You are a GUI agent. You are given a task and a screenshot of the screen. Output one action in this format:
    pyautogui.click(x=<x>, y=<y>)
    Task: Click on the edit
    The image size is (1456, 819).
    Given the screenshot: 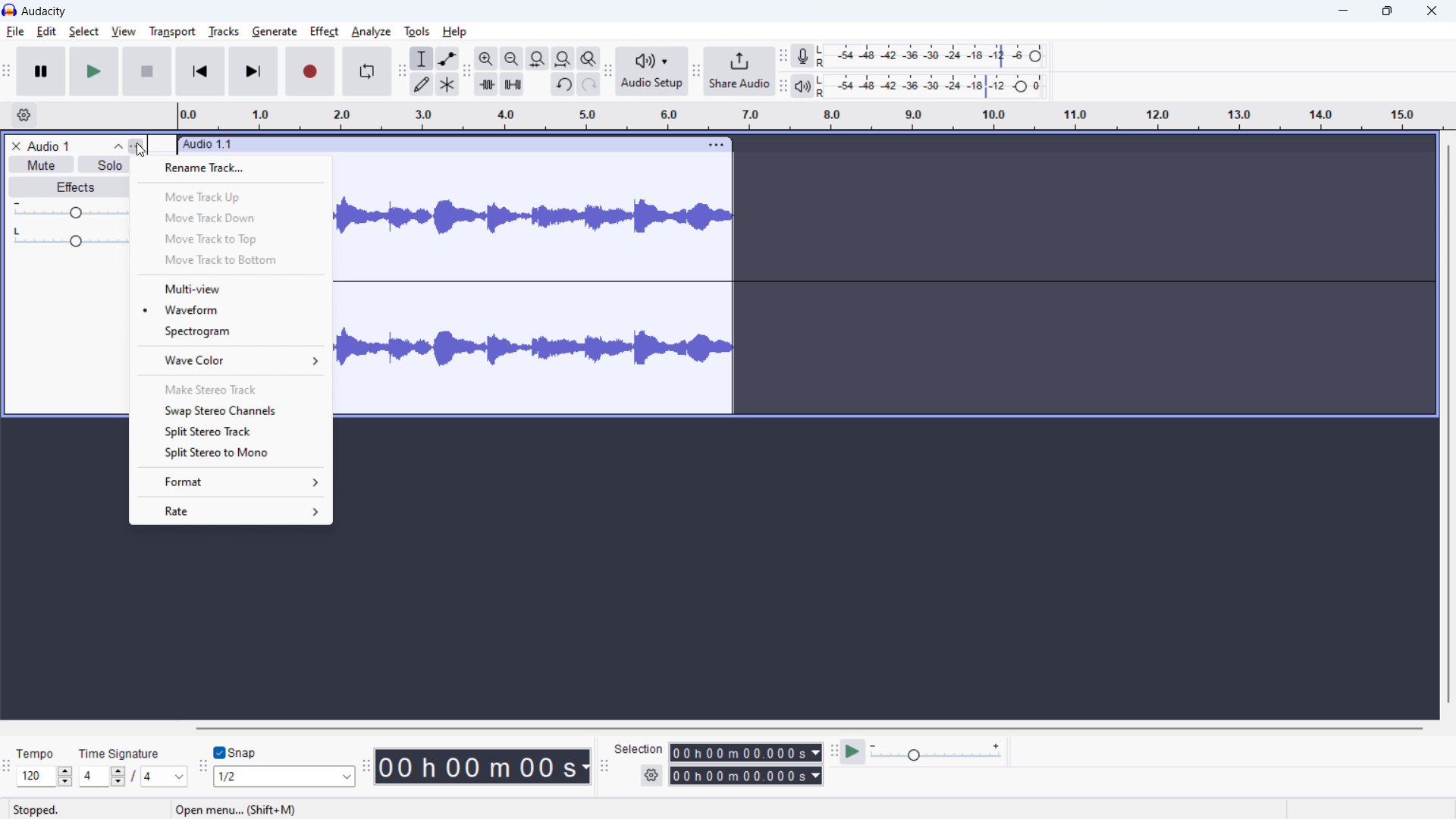 What is the action you would take?
    pyautogui.click(x=48, y=32)
    